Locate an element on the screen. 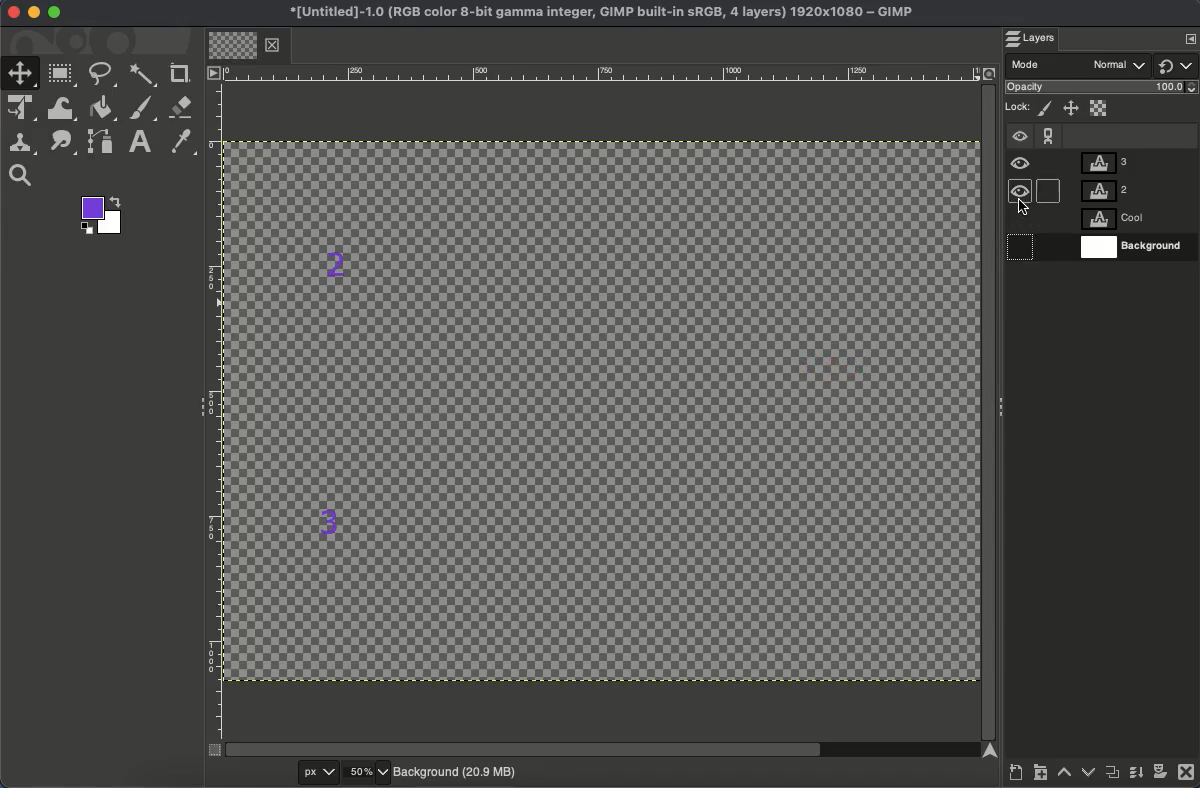 Image resolution: width=1200 pixels, height=788 pixels. Rectangular select is located at coordinates (63, 74).